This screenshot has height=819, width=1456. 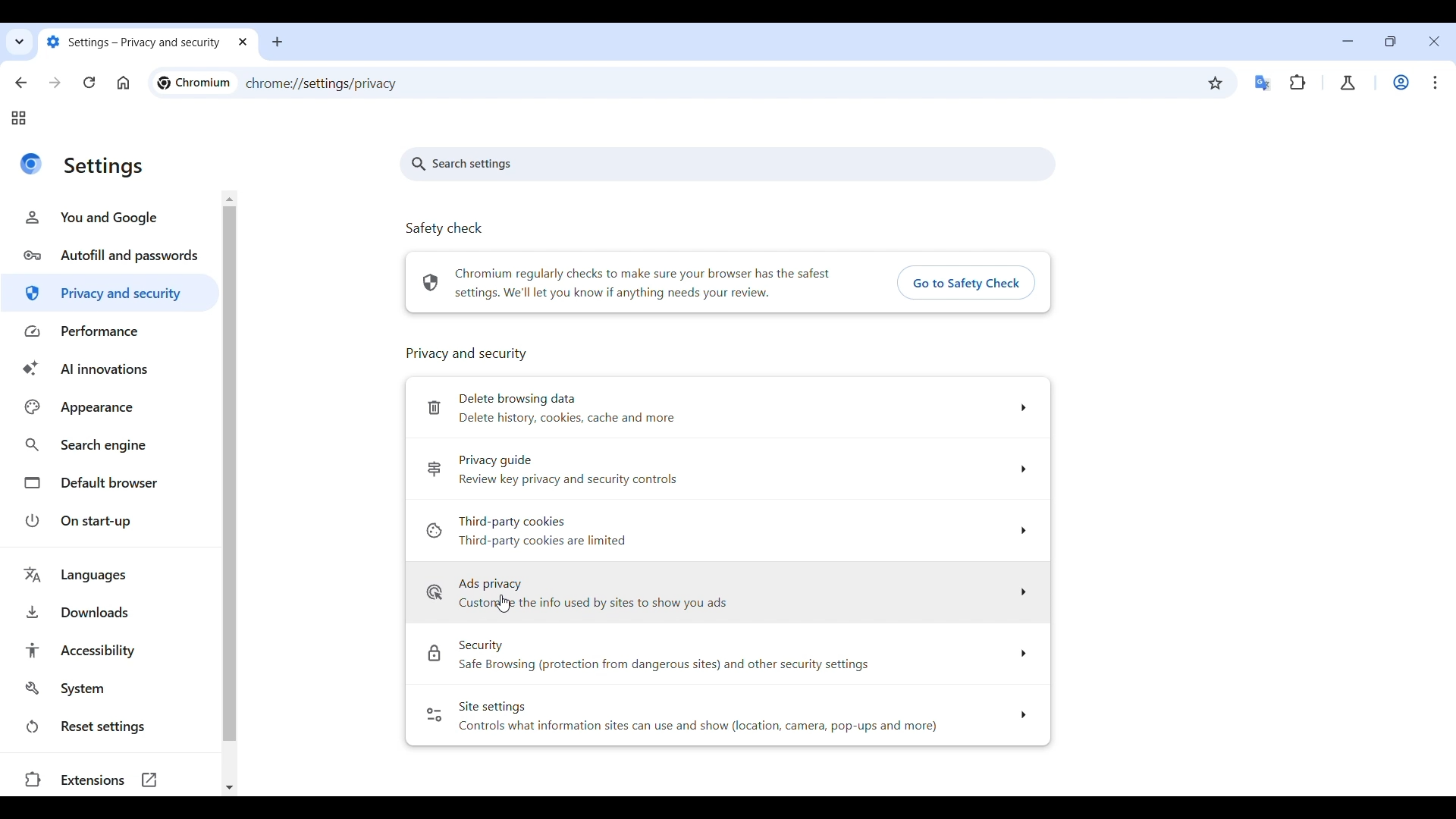 I want to click on Go back, so click(x=20, y=83).